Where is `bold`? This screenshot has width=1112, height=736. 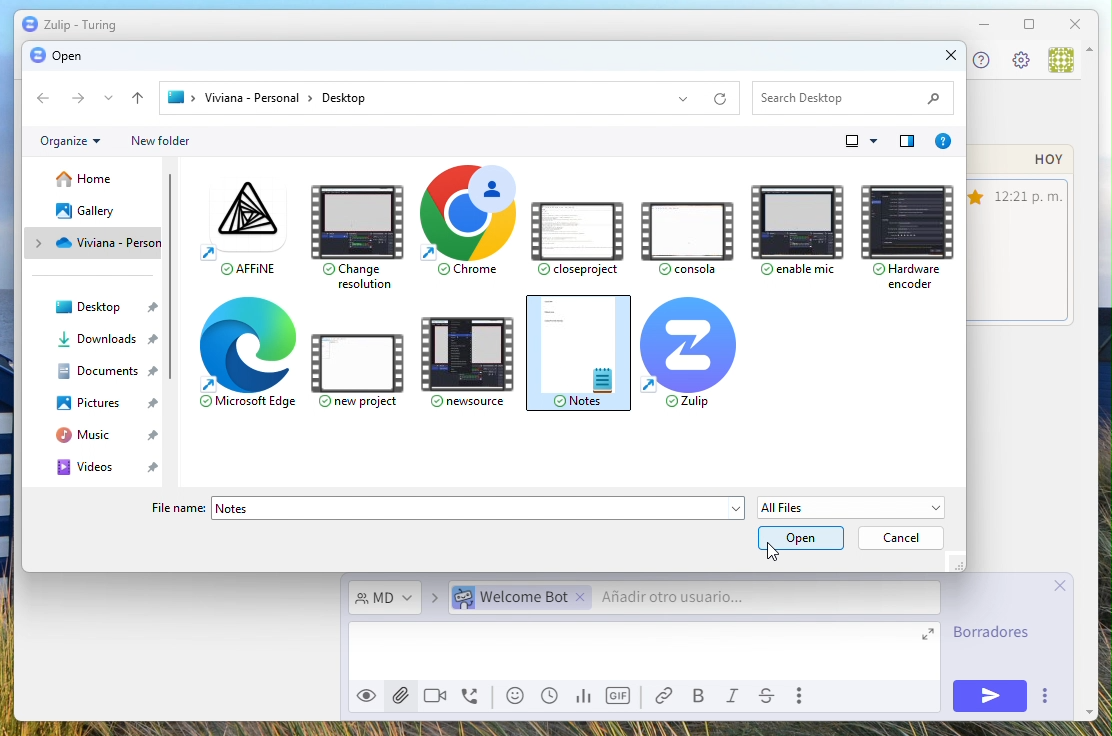 bold is located at coordinates (701, 697).